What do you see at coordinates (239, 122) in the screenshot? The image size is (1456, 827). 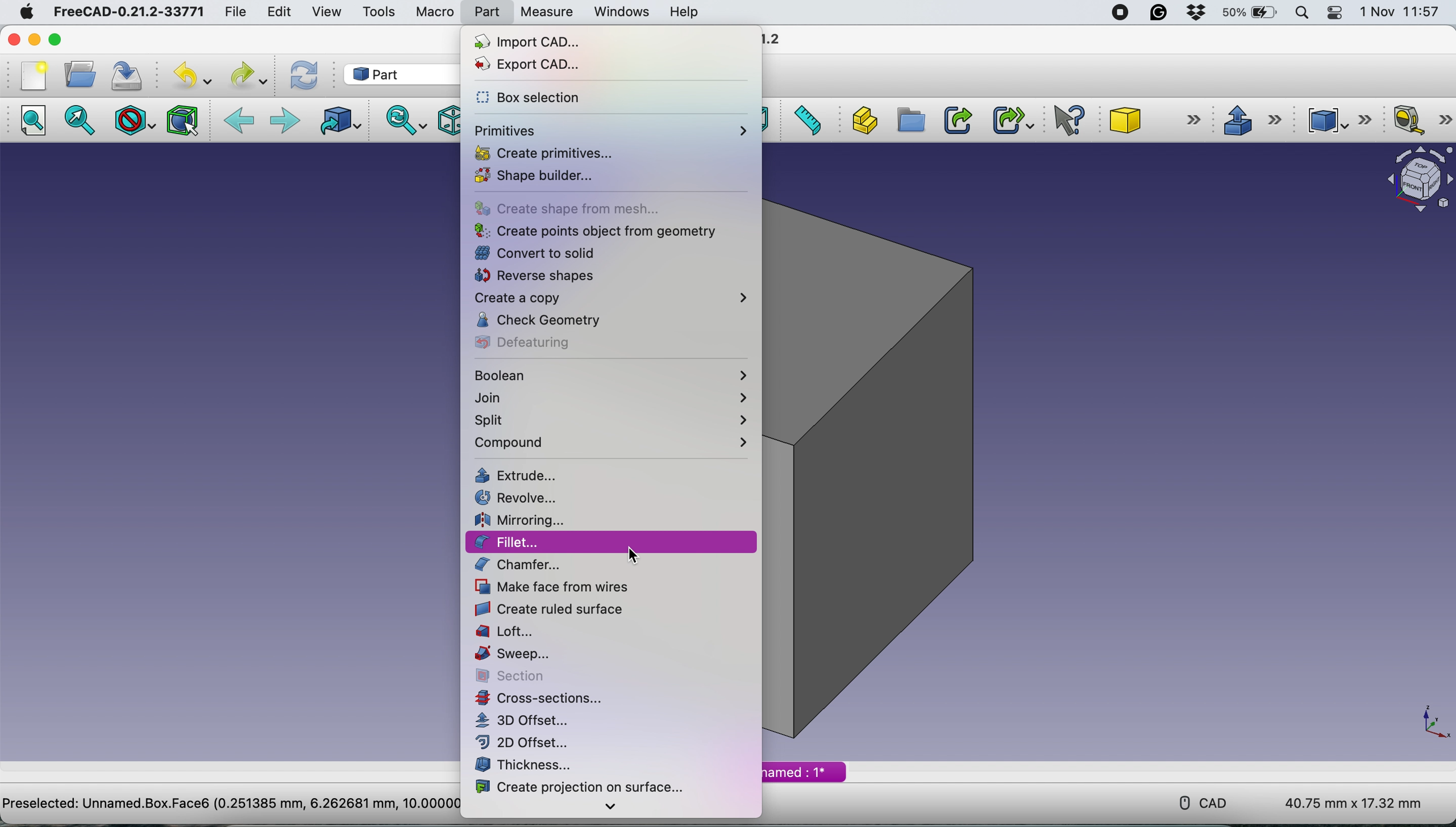 I see `backward` at bounding box center [239, 122].